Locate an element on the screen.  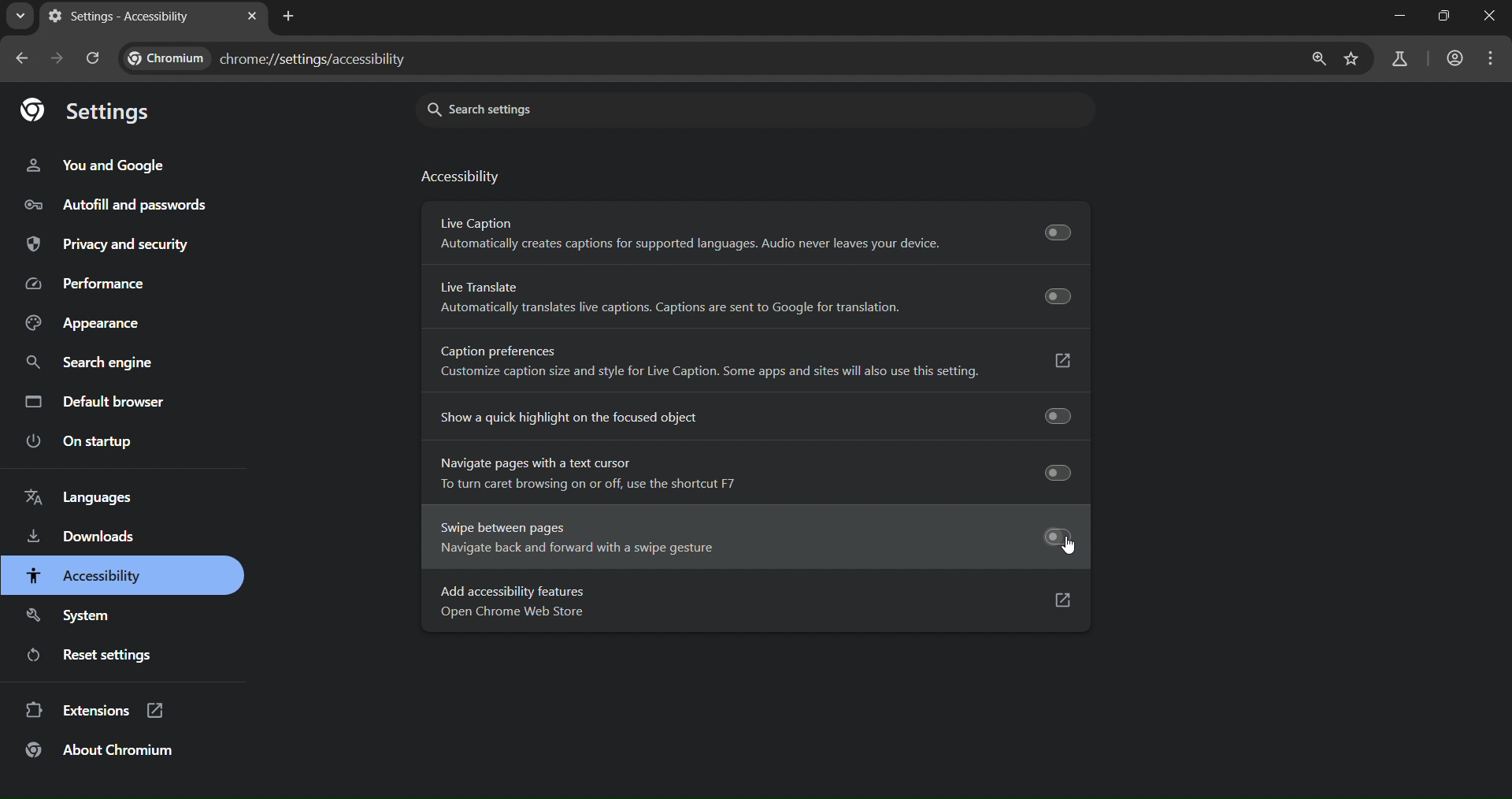
bookmark page is located at coordinates (1350, 59).